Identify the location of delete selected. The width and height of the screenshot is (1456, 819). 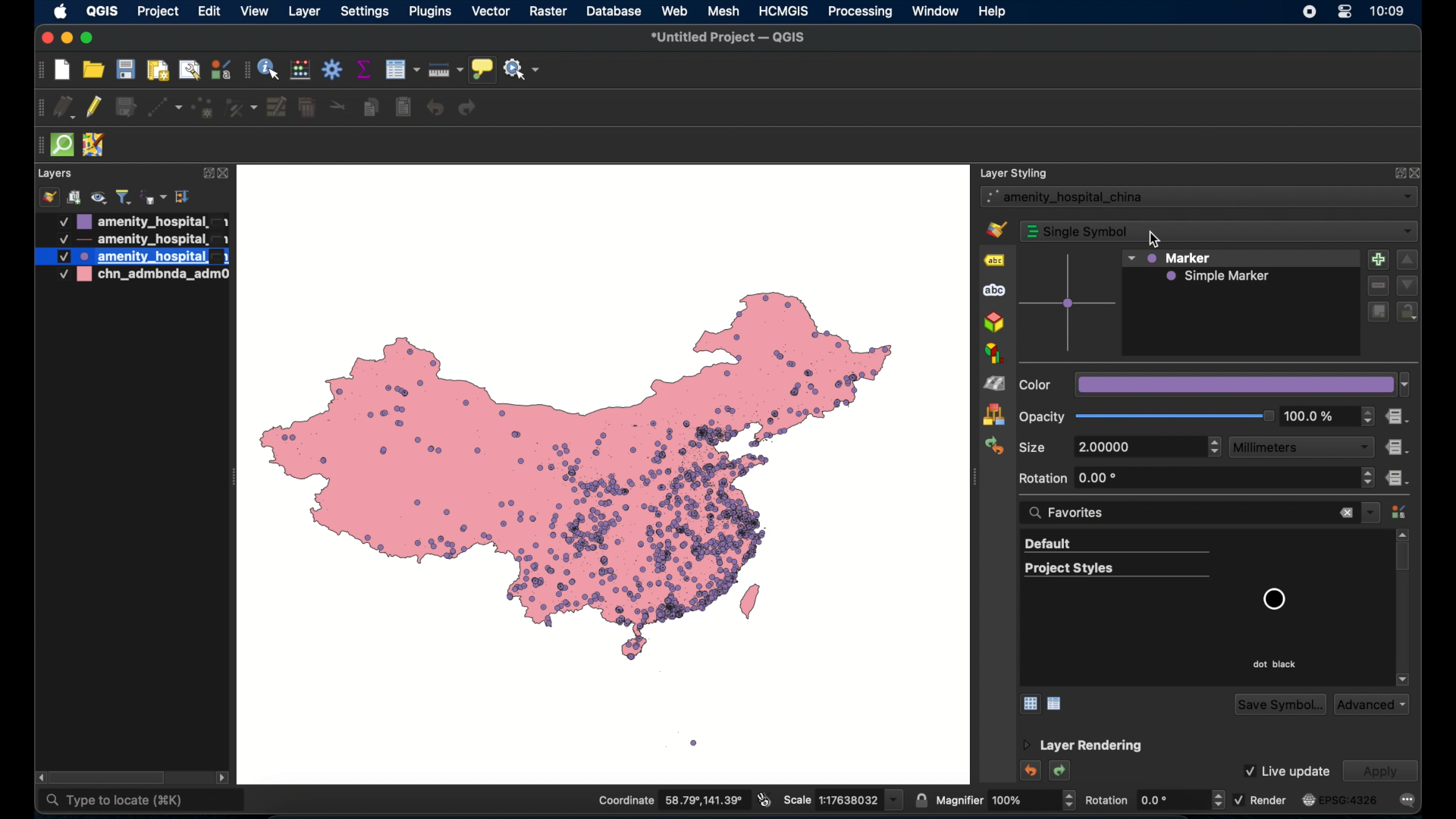
(403, 108).